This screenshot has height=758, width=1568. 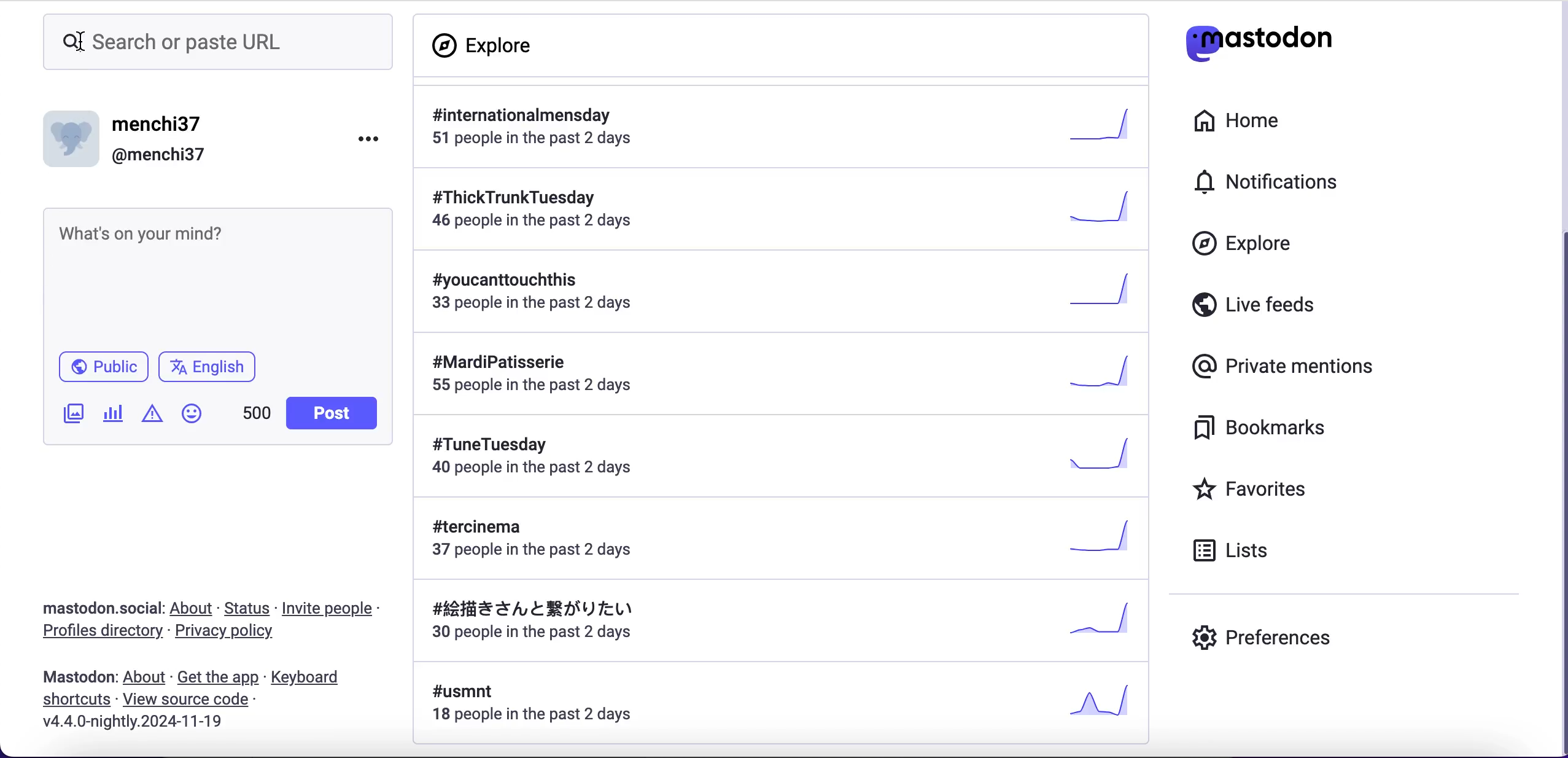 What do you see at coordinates (154, 415) in the screenshot?
I see `add warning` at bounding box center [154, 415].